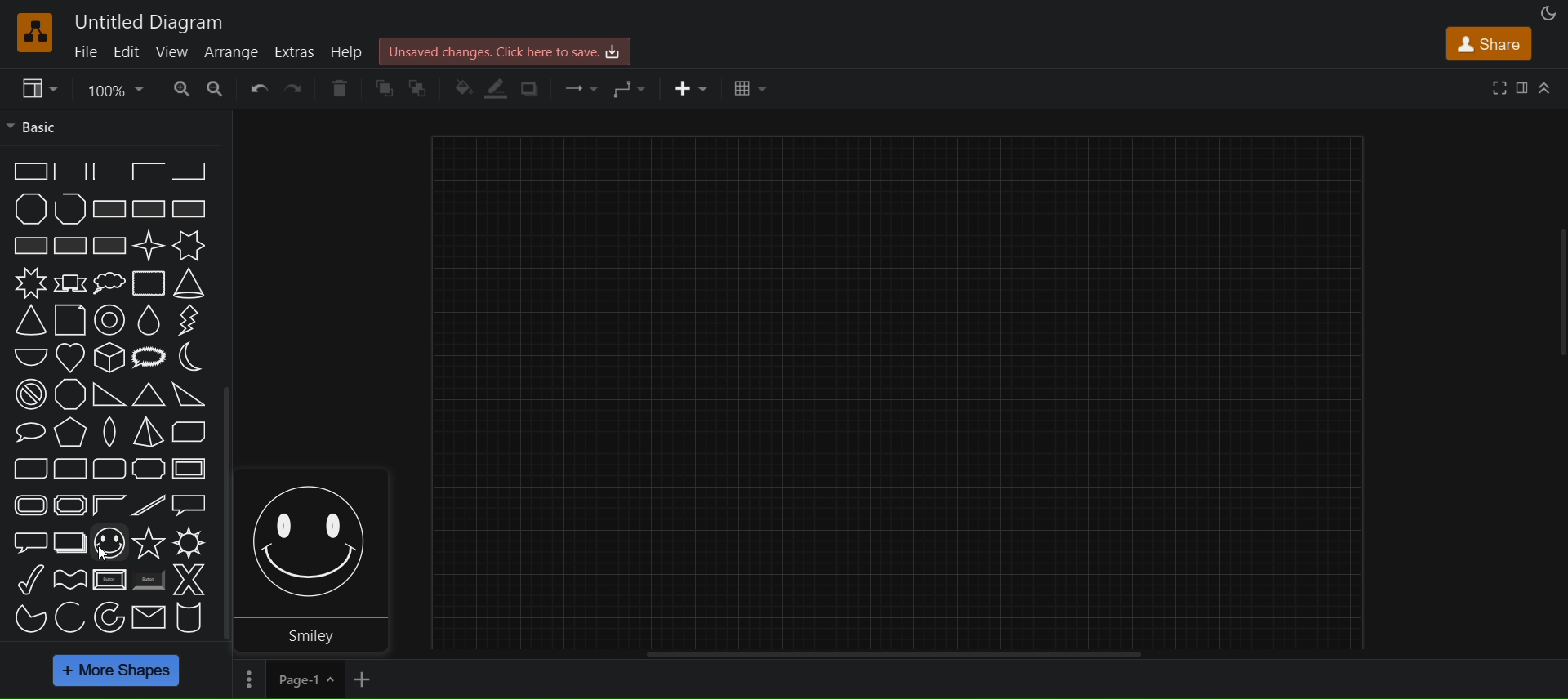 This screenshot has height=699, width=1568. Describe the element at coordinates (150, 283) in the screenshot. I see `cloud rectangle` at that location.